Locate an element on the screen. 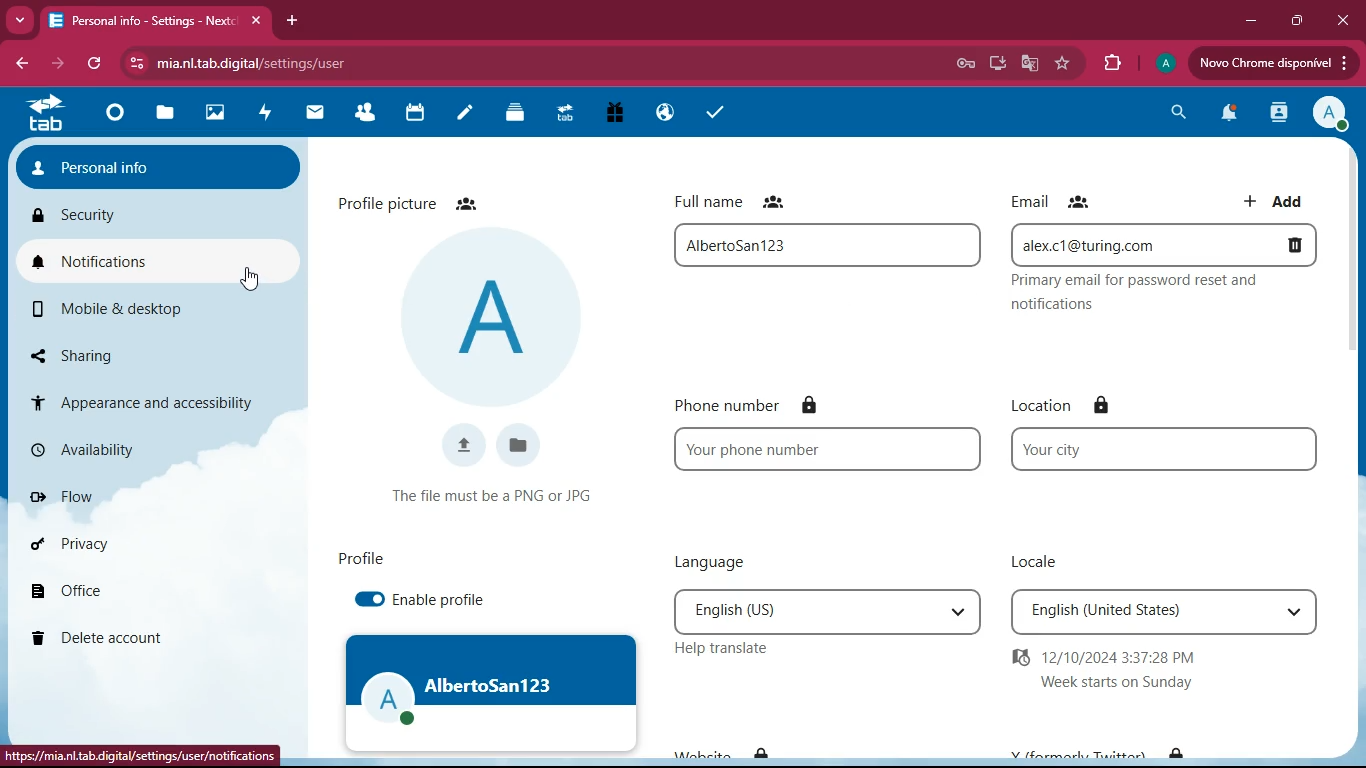  extension is located at coordinates (1107, 64).